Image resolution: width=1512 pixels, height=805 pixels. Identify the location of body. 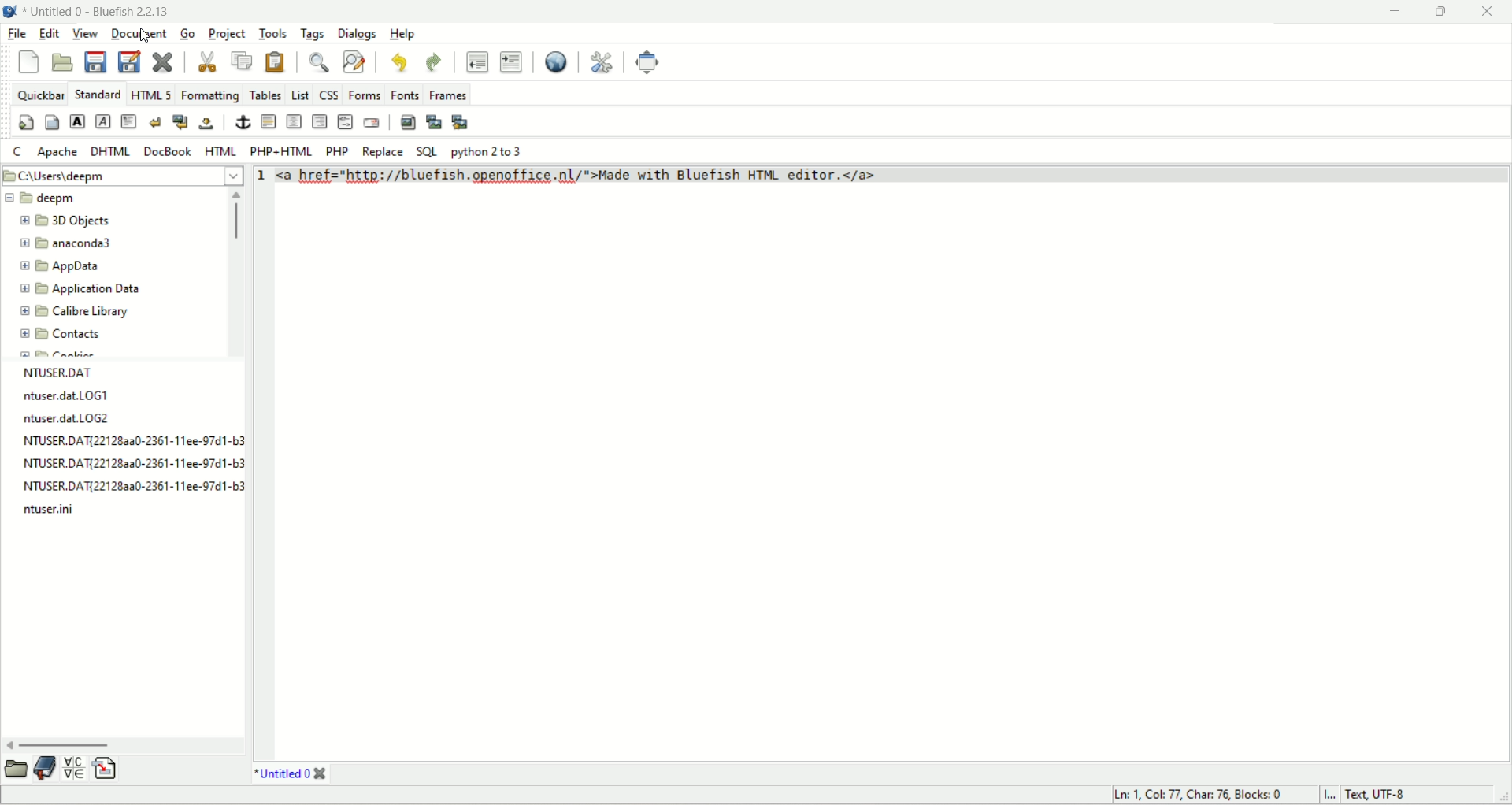
(50, 124).